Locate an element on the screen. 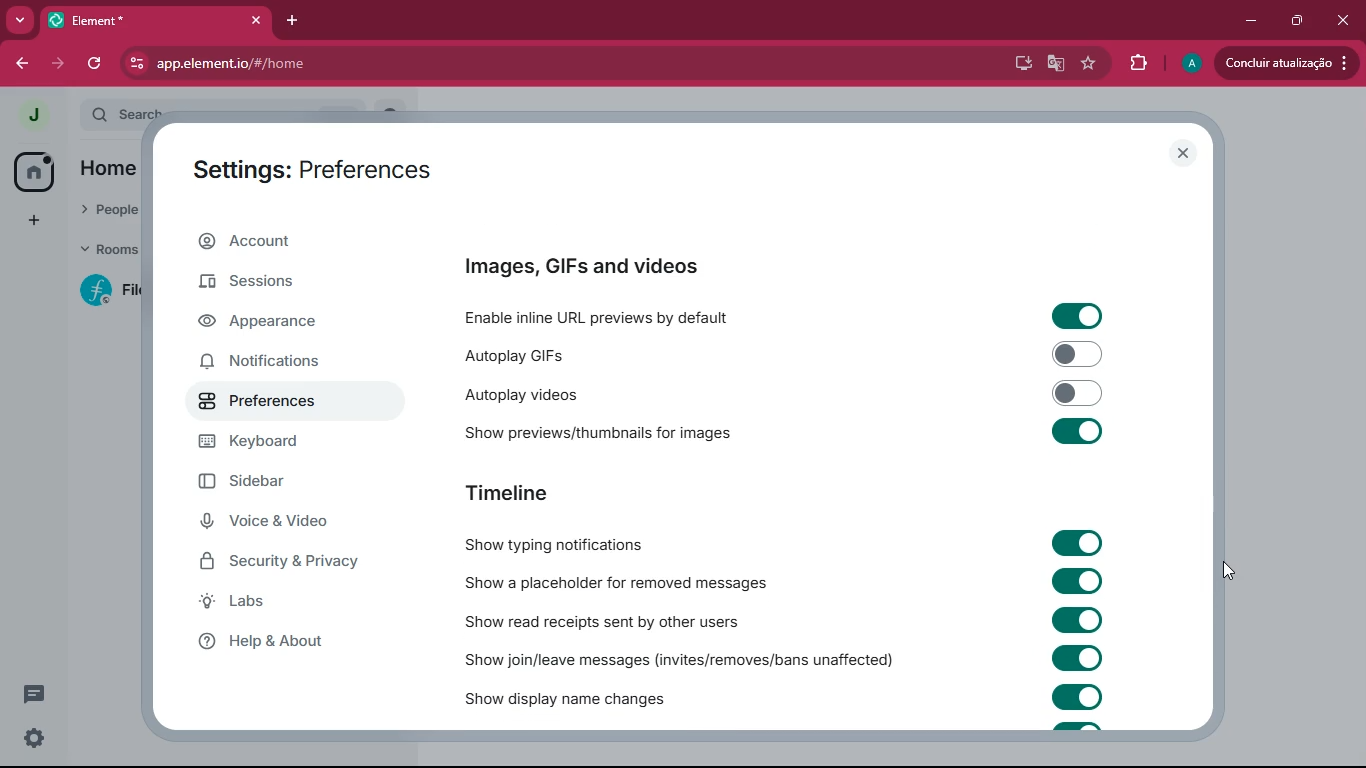 This screenshot has width=1366, height=768. home is located at coordinates (32, 172).